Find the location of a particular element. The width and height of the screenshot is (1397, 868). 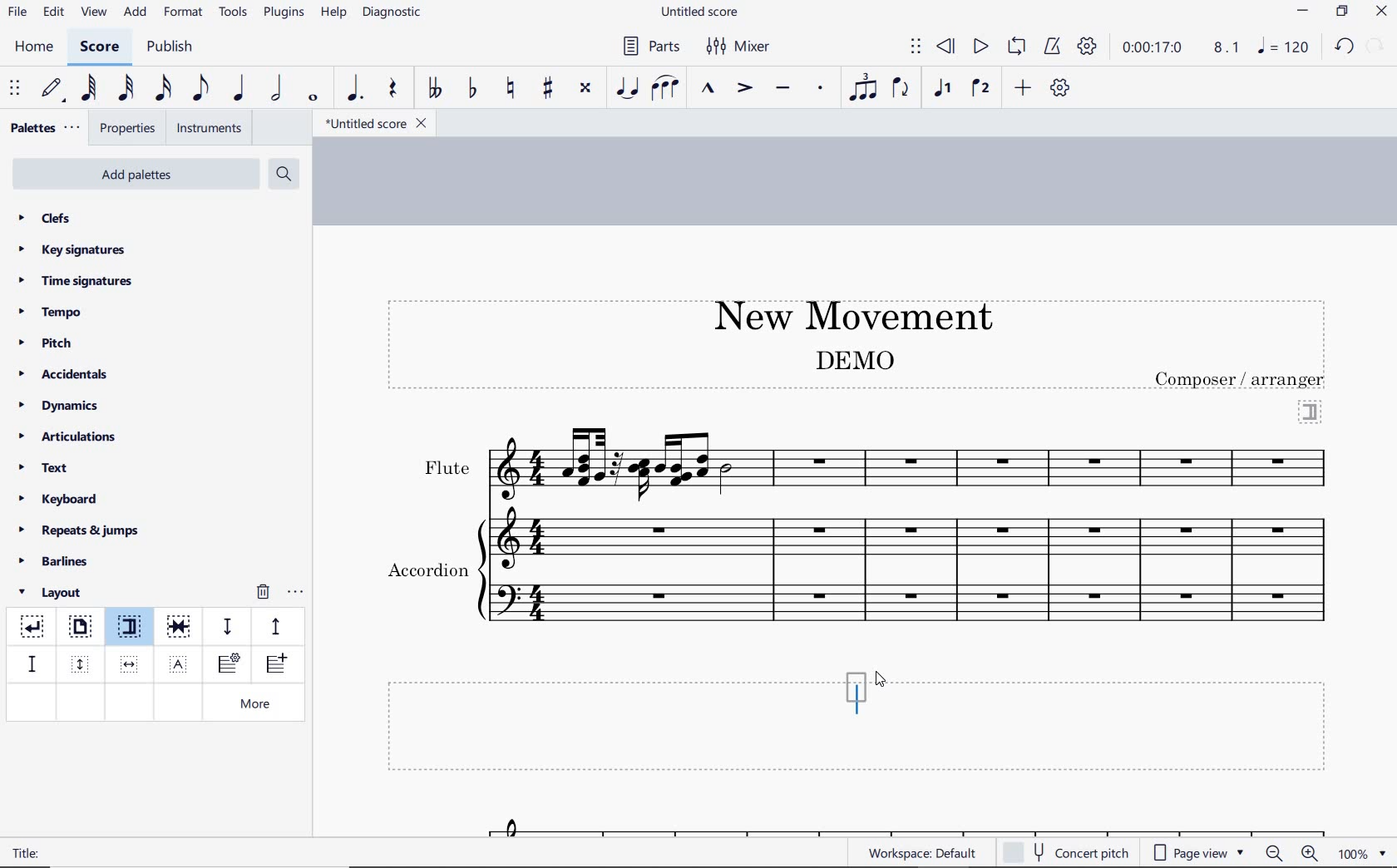

zoom in is located at coordinates (1313, 855).